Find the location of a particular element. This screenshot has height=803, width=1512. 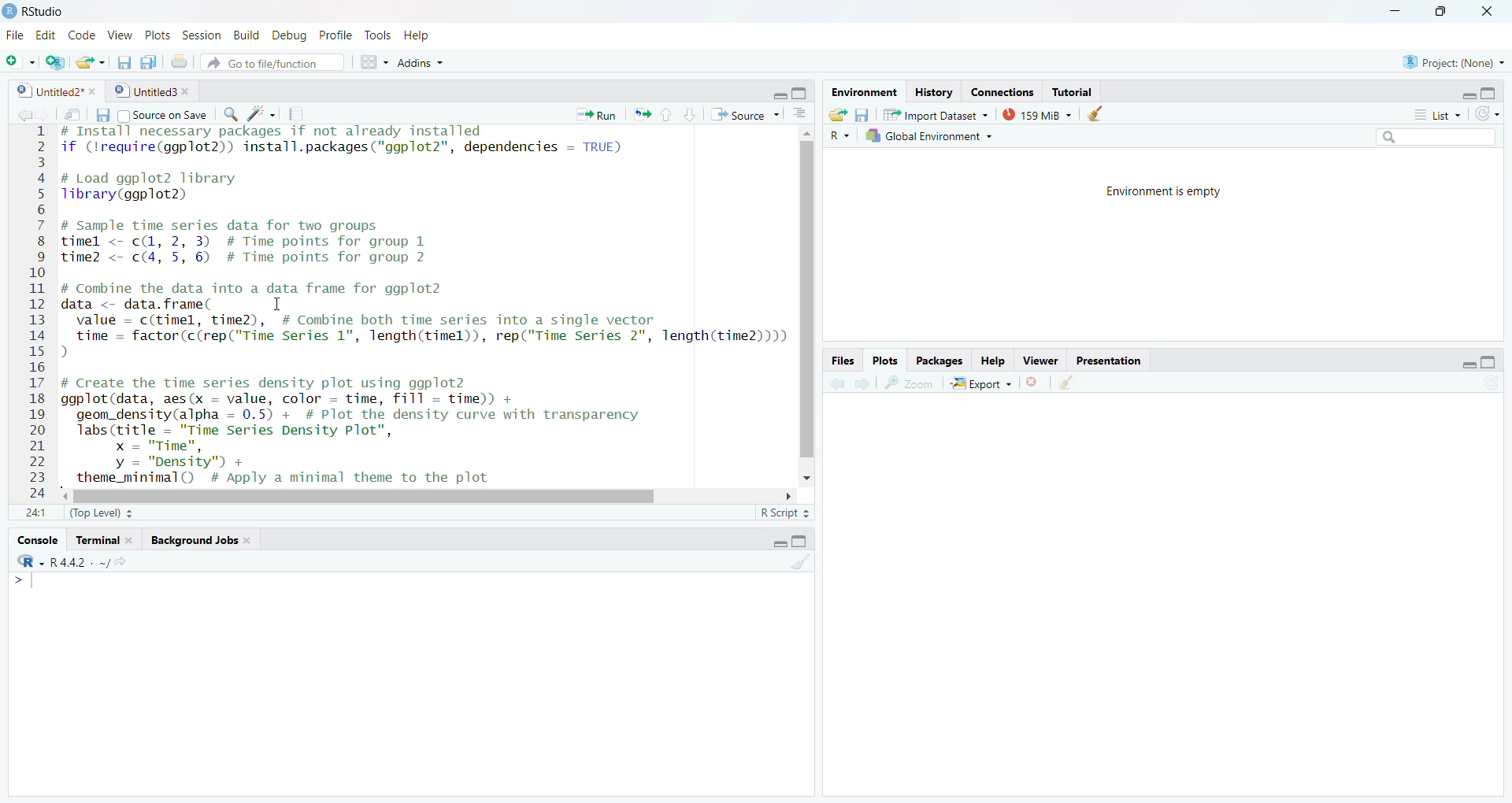

Minimize is located at coordinates (776, 542).